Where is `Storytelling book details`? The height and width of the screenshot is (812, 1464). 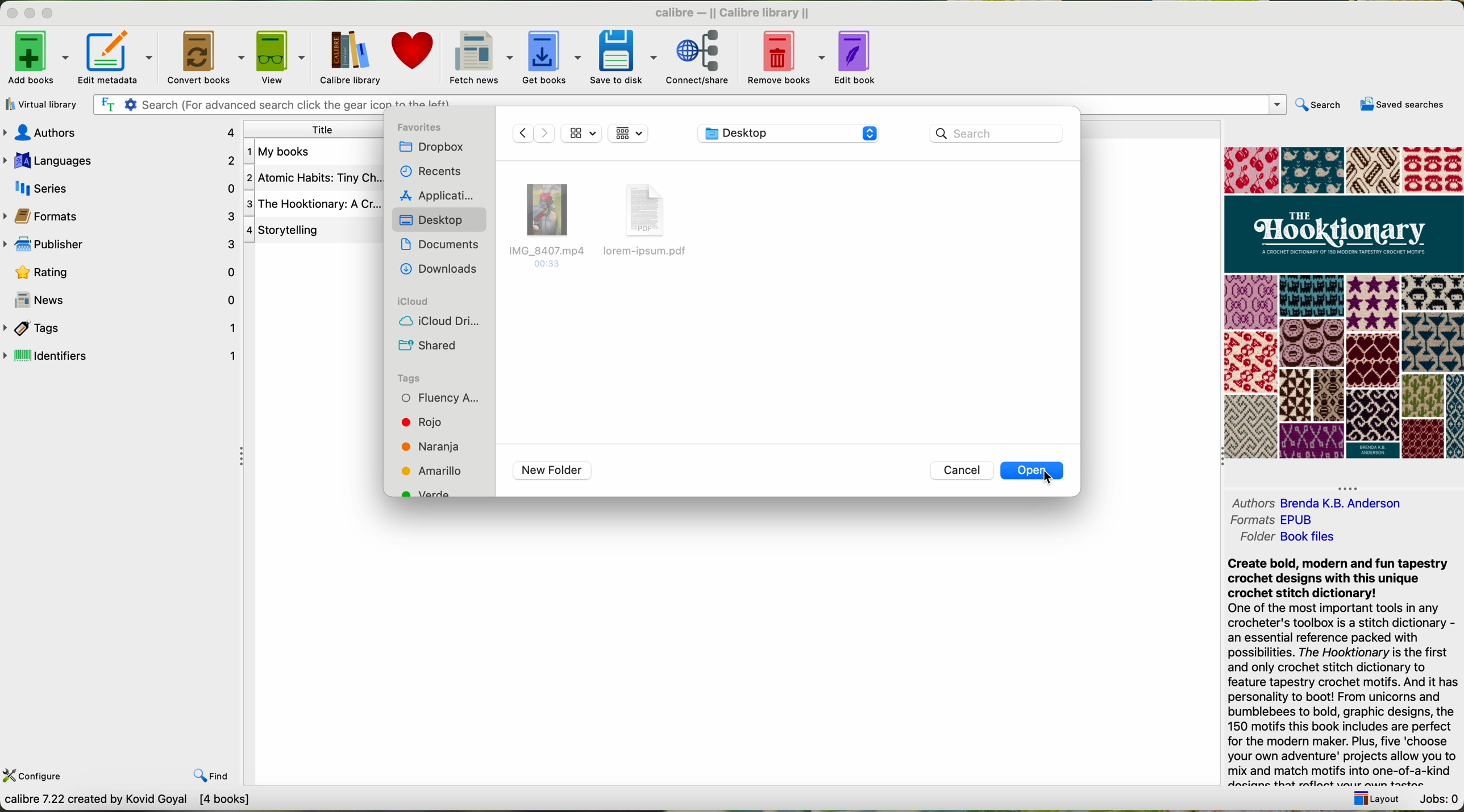
Storytelling book details is located at coordinates (306, 205).